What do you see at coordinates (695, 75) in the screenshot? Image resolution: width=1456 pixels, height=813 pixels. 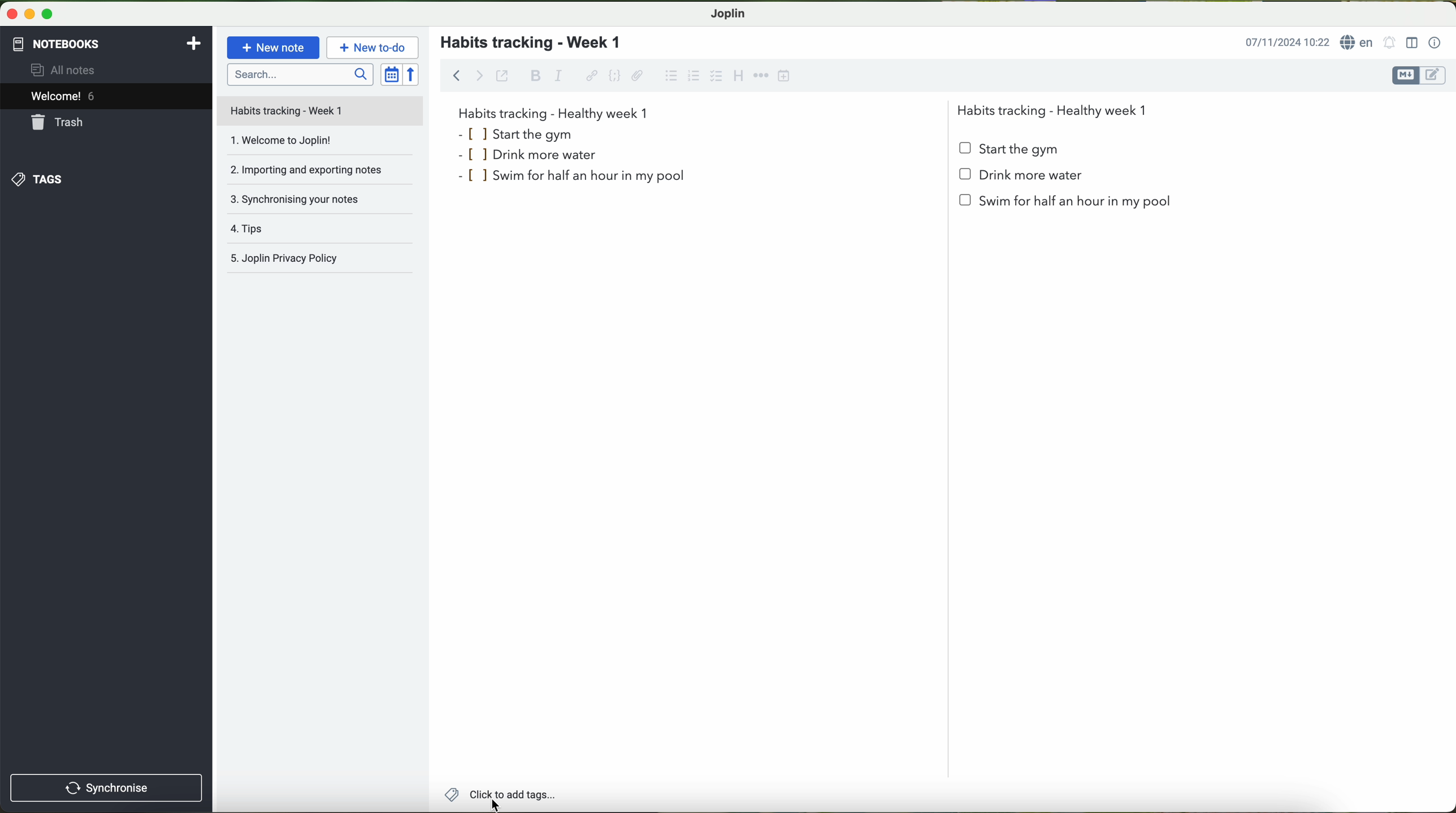 I see `numbered list` at bounding box center [695, 75].